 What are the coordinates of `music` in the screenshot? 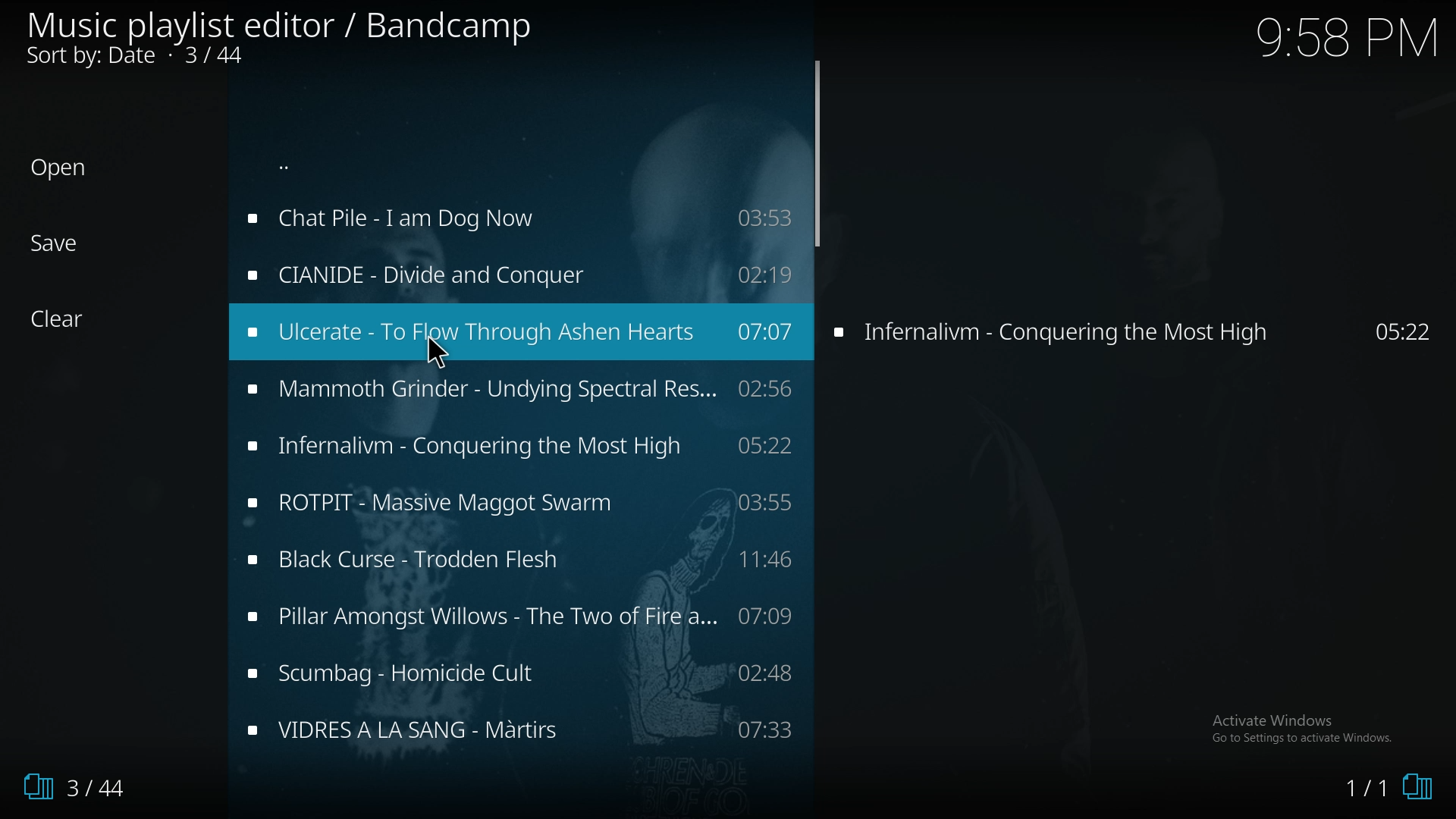 It's located at (521, 616).